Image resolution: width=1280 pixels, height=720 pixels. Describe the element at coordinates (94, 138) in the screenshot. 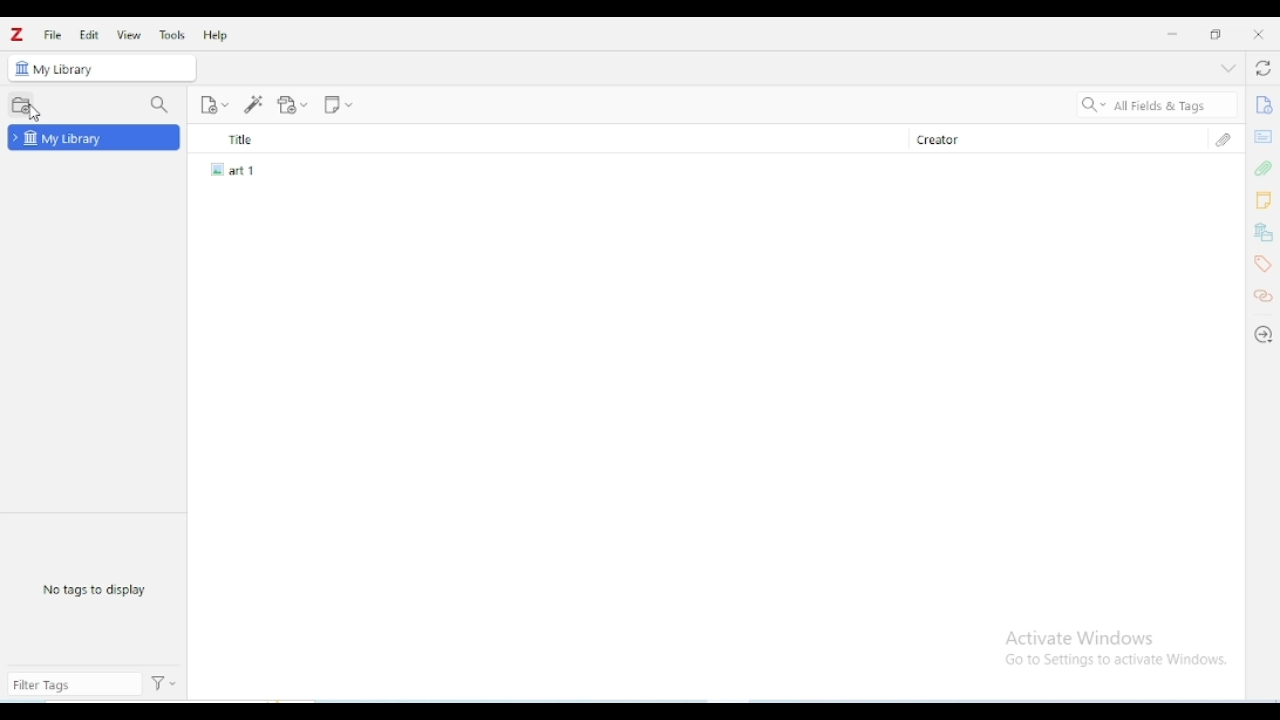

I see `my library` at that location.